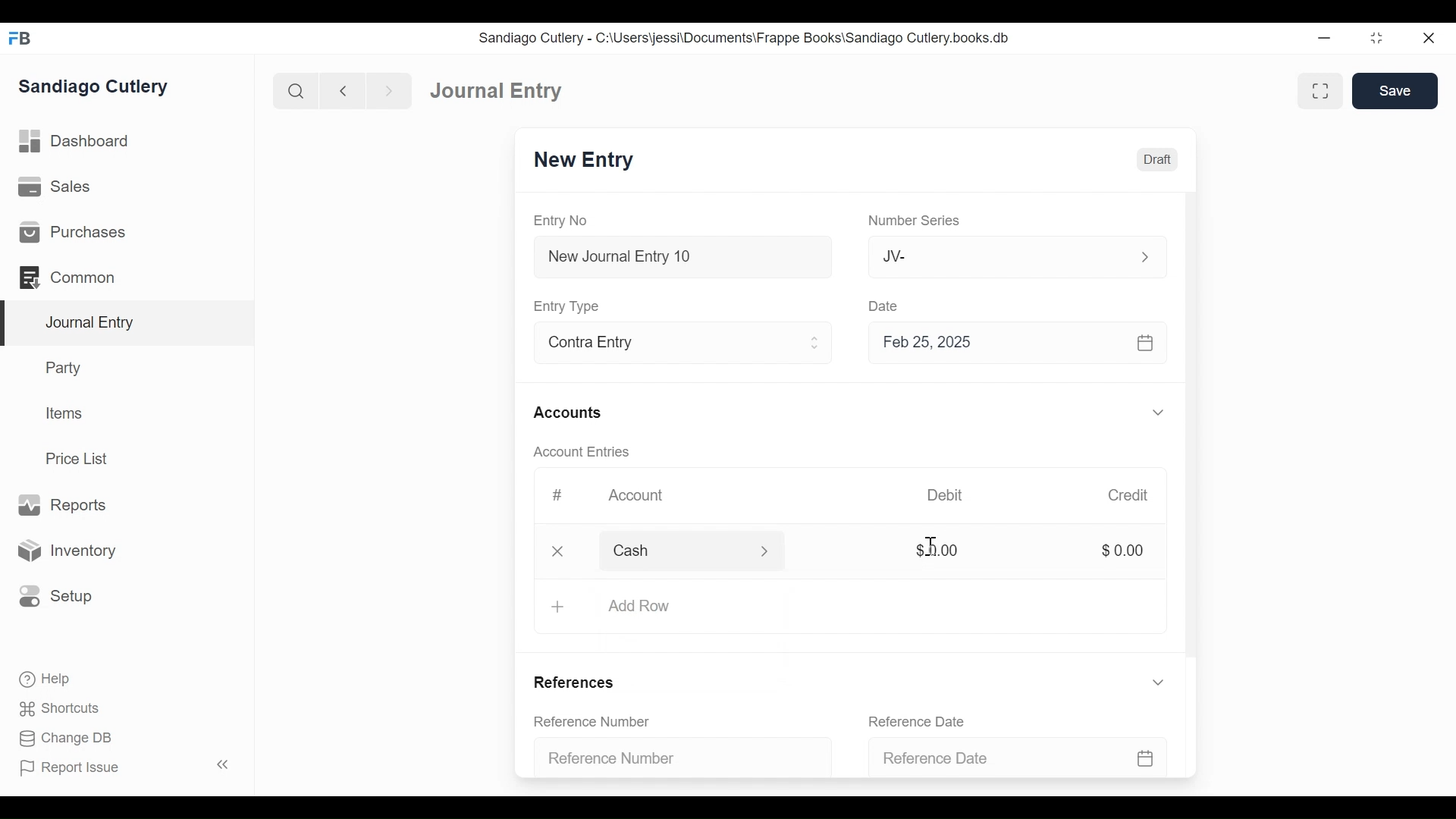  I want to click on Shortcuts, so click(55, 708).